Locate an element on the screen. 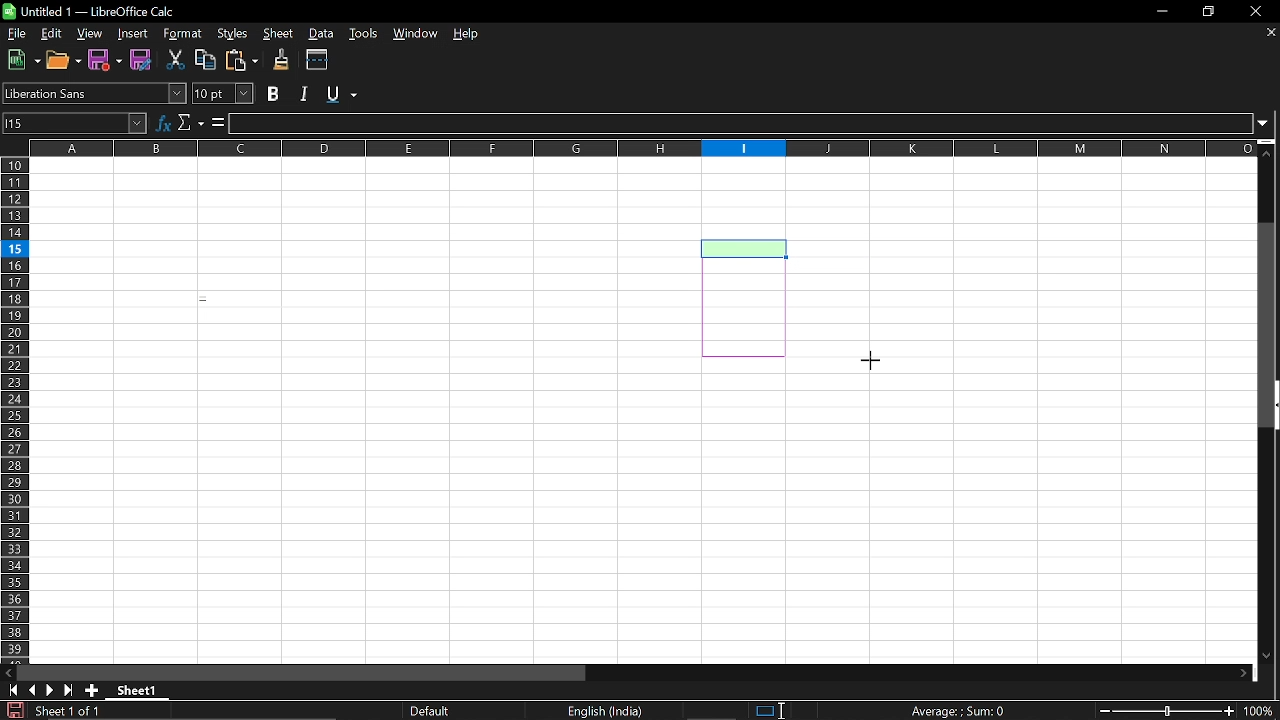  Move down is located at coordinates (1242, 672).